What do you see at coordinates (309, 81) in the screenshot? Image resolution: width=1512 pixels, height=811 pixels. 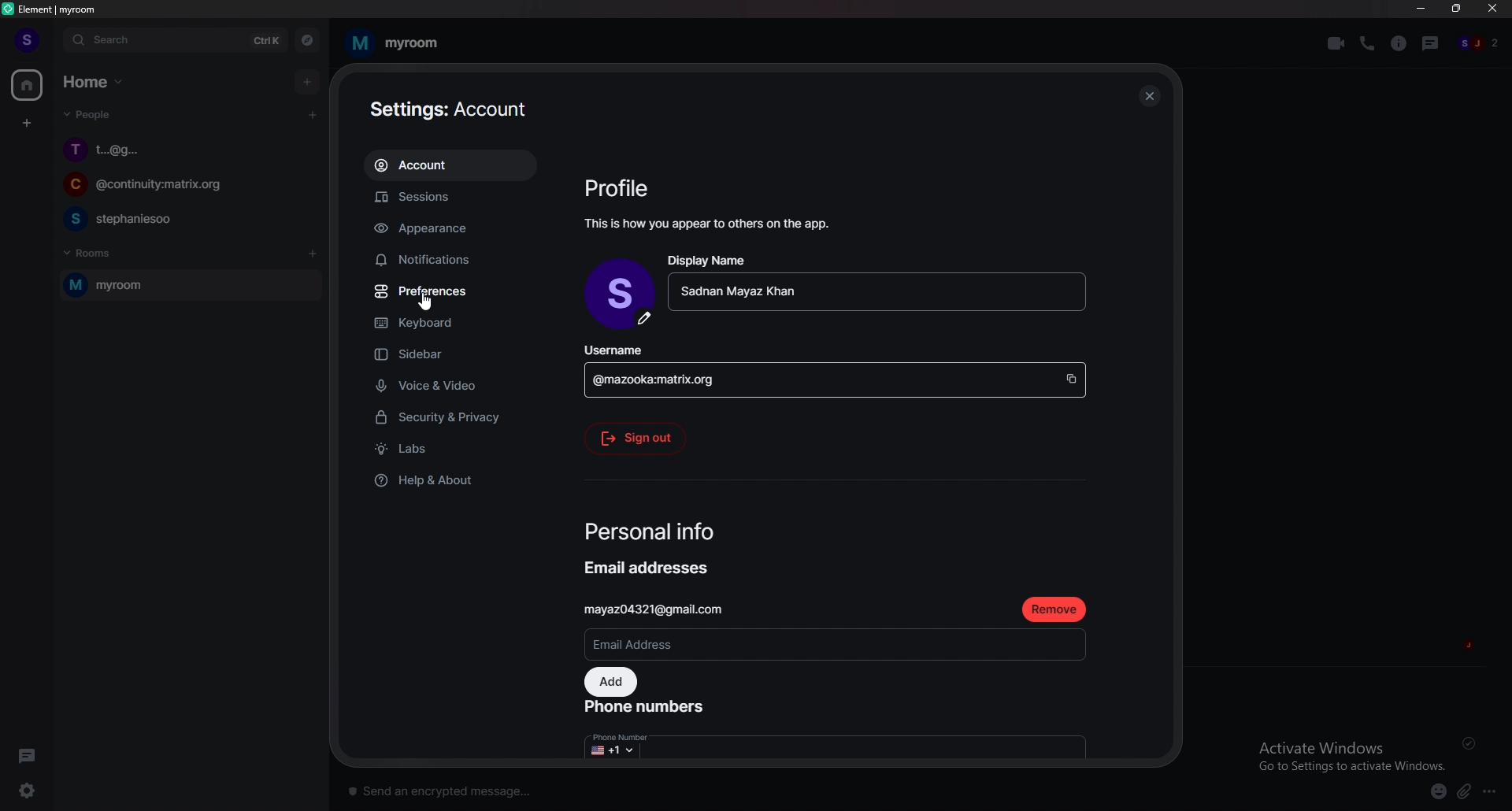 I see `add` at bounding box center [309, 81].